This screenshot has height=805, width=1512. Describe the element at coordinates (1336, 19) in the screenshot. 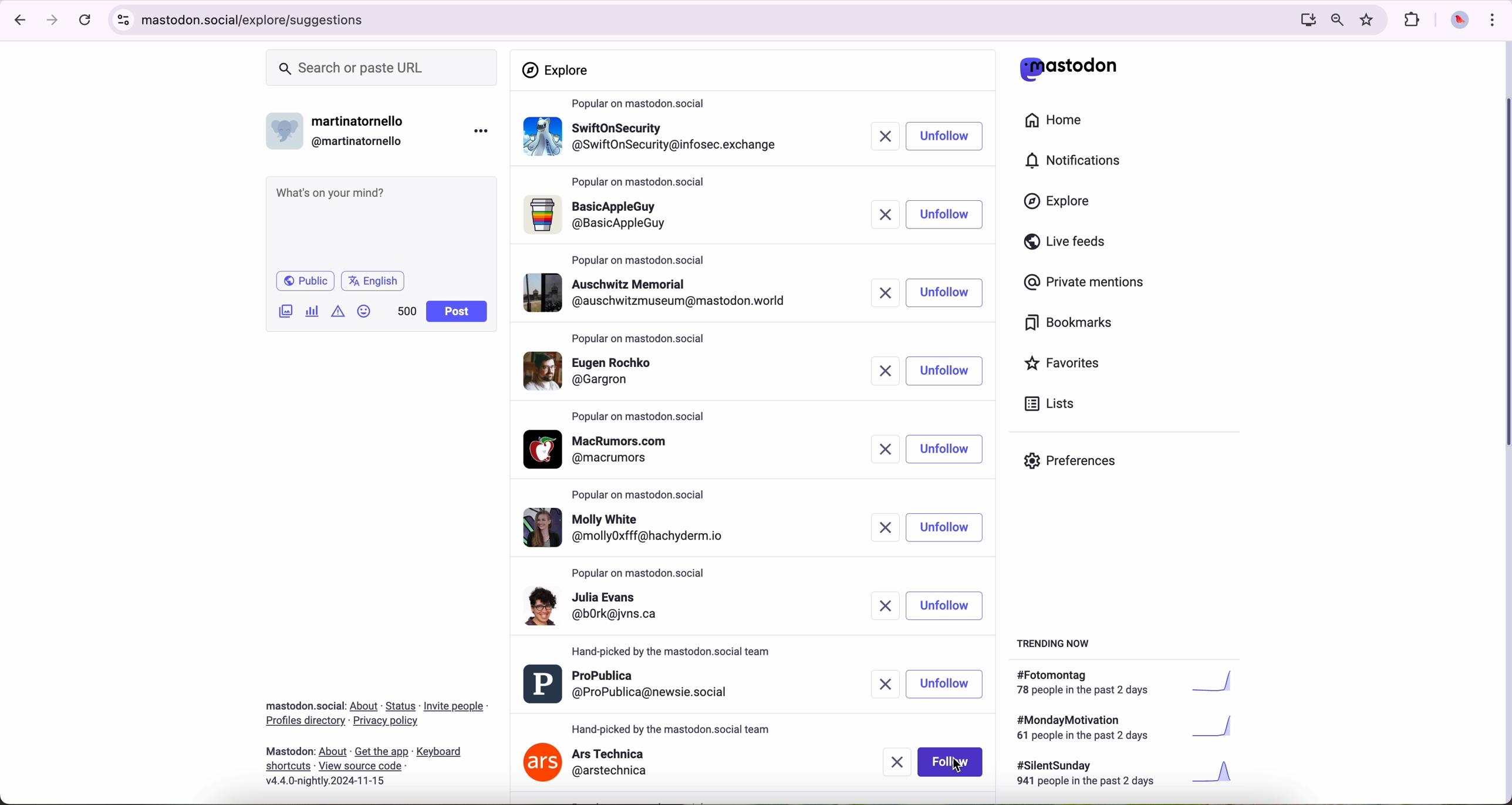

I see `zoom out` at that location.